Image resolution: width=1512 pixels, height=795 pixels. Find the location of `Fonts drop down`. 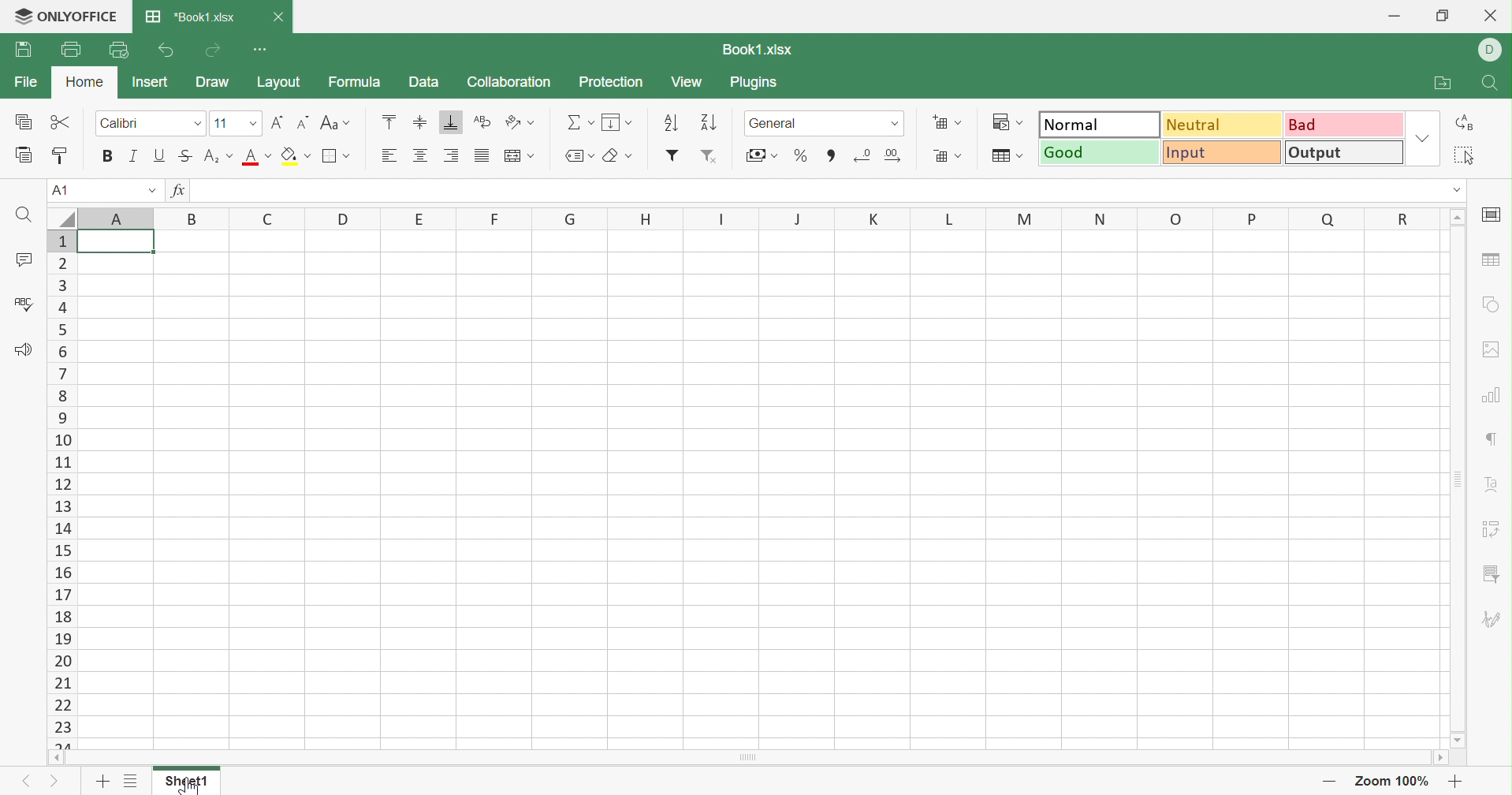

Fonts drop down is located at coordinates (196, 124).